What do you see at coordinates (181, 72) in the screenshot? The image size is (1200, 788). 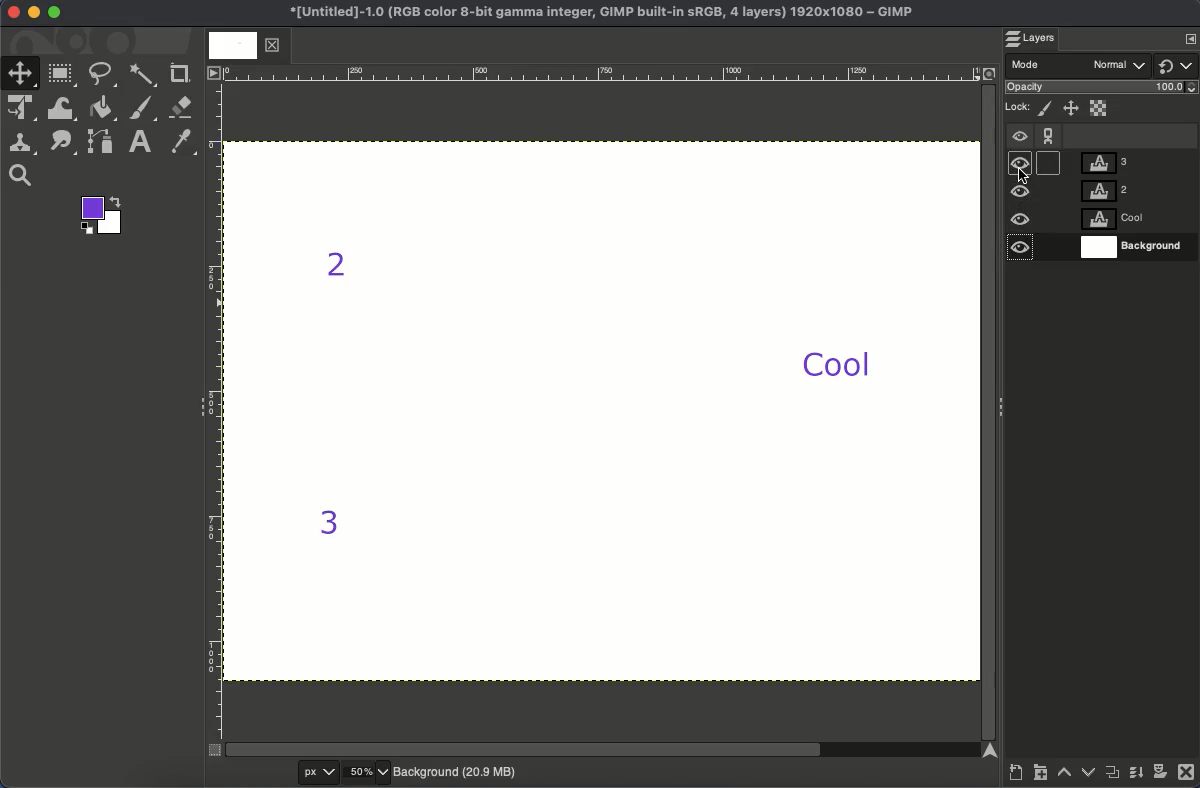 I see `Crop` at bounding box center [181, 72].